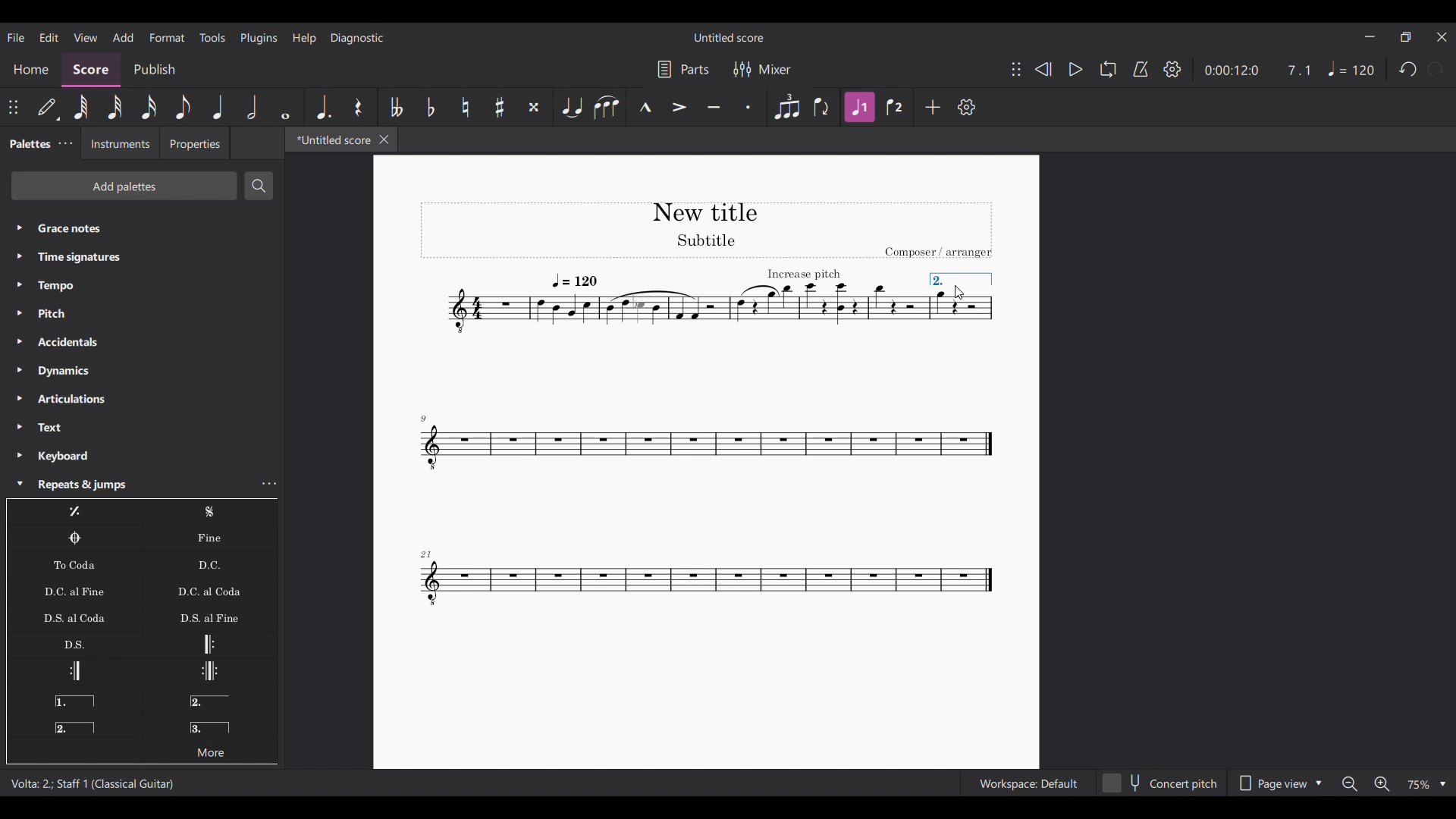 The height and width of the screenshot is (819, 1456). What do you see at coordinates (129, 485) in the screenshot?
I see `Repeats & jumps highlighted by cursor` at bounding box center [129, 485].